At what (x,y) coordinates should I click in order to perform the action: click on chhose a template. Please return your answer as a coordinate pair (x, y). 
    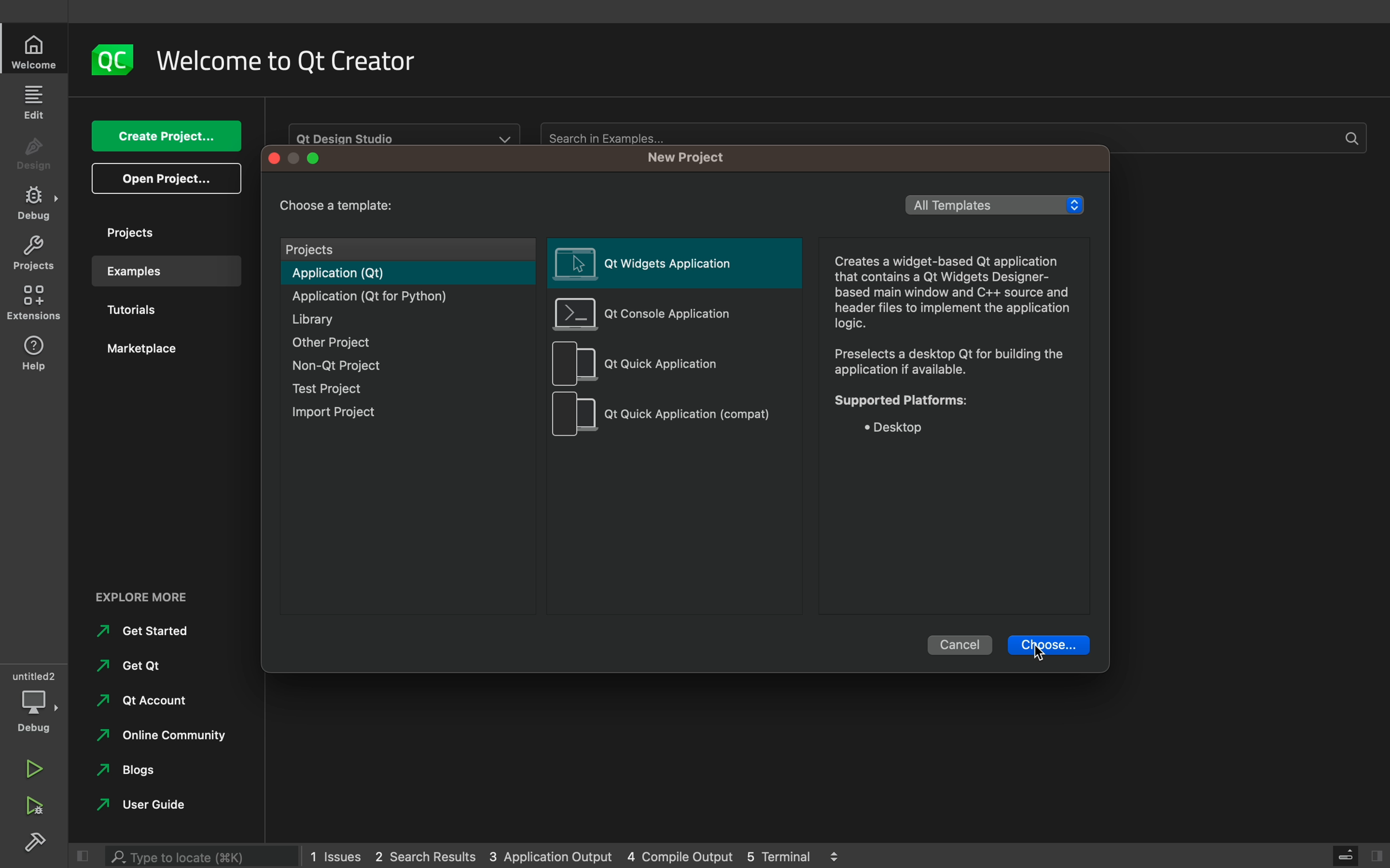
    Looking at the image, I should click on (335, 203).